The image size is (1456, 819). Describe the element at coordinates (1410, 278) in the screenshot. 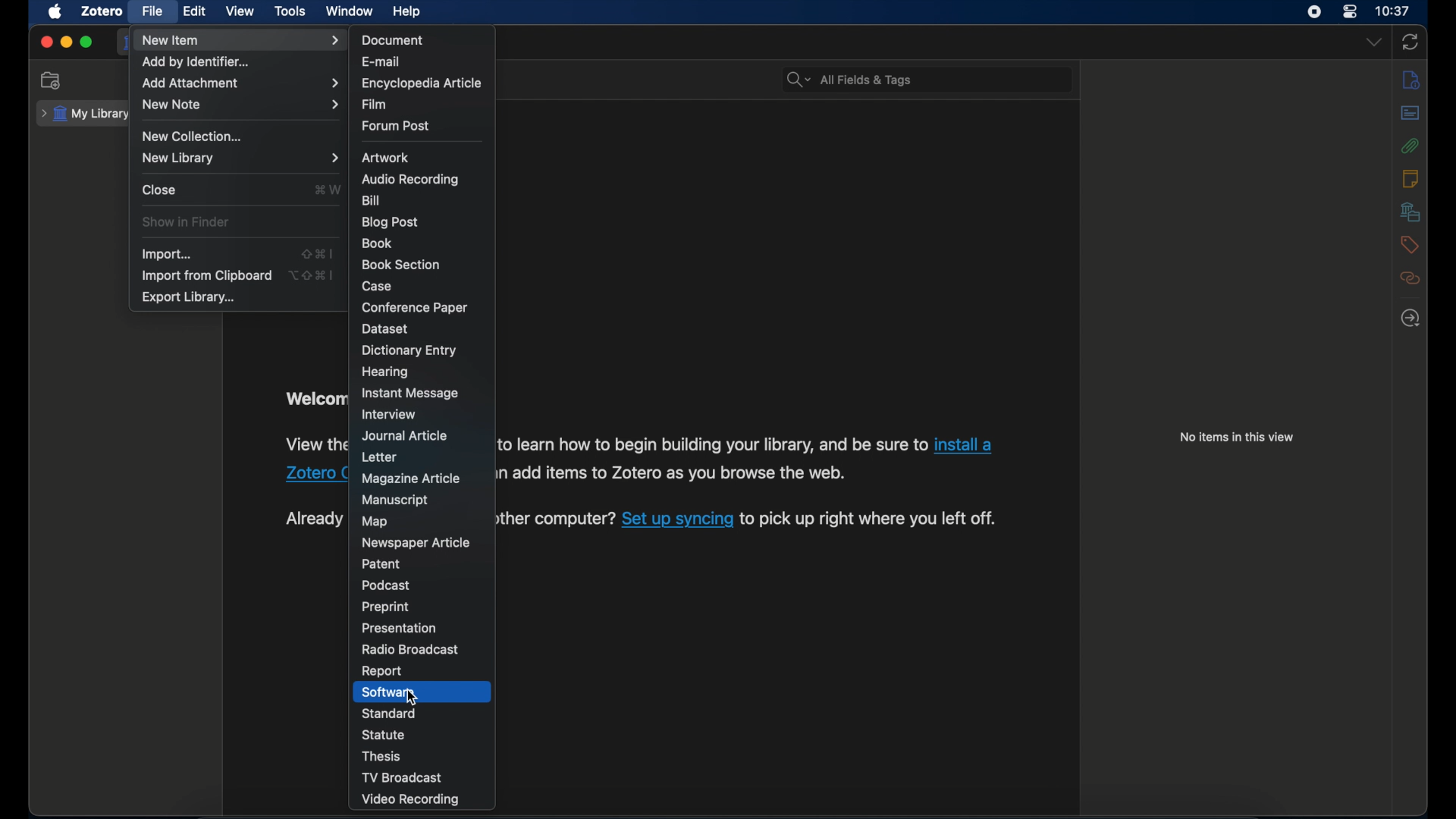

I see `related` at that location.